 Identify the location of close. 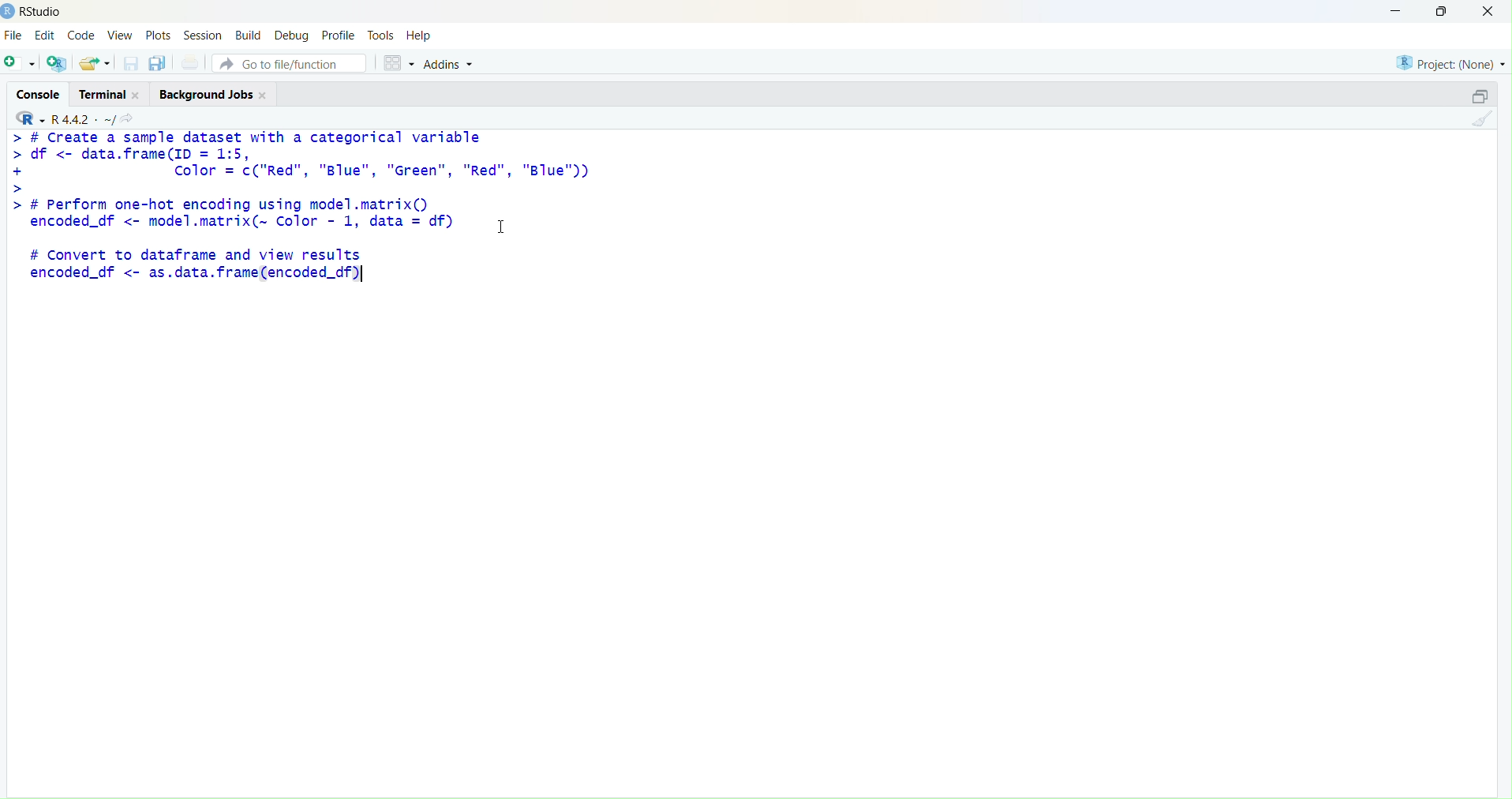
(264, 96).